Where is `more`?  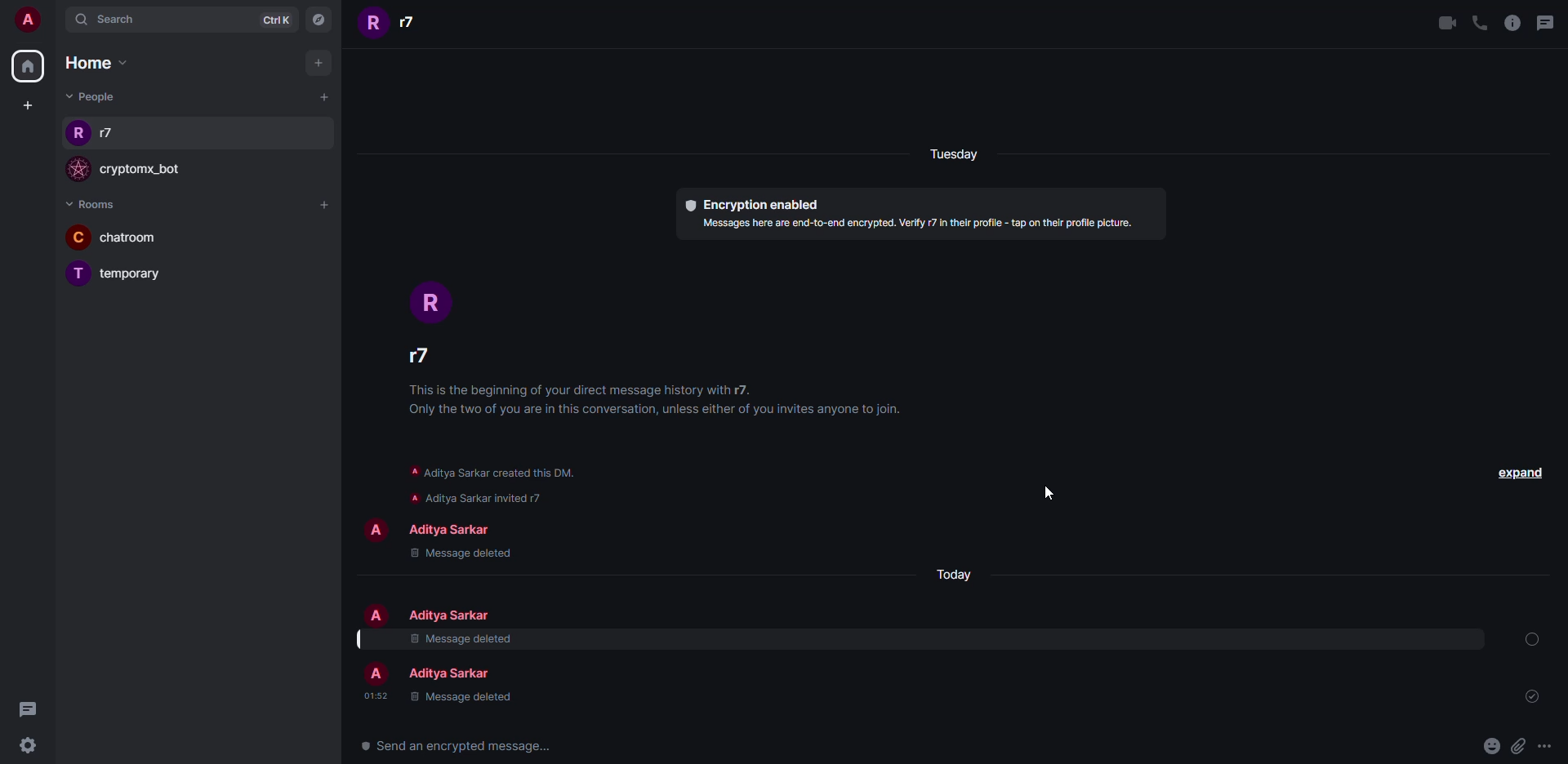 more is located at coordinates (1544, 747).